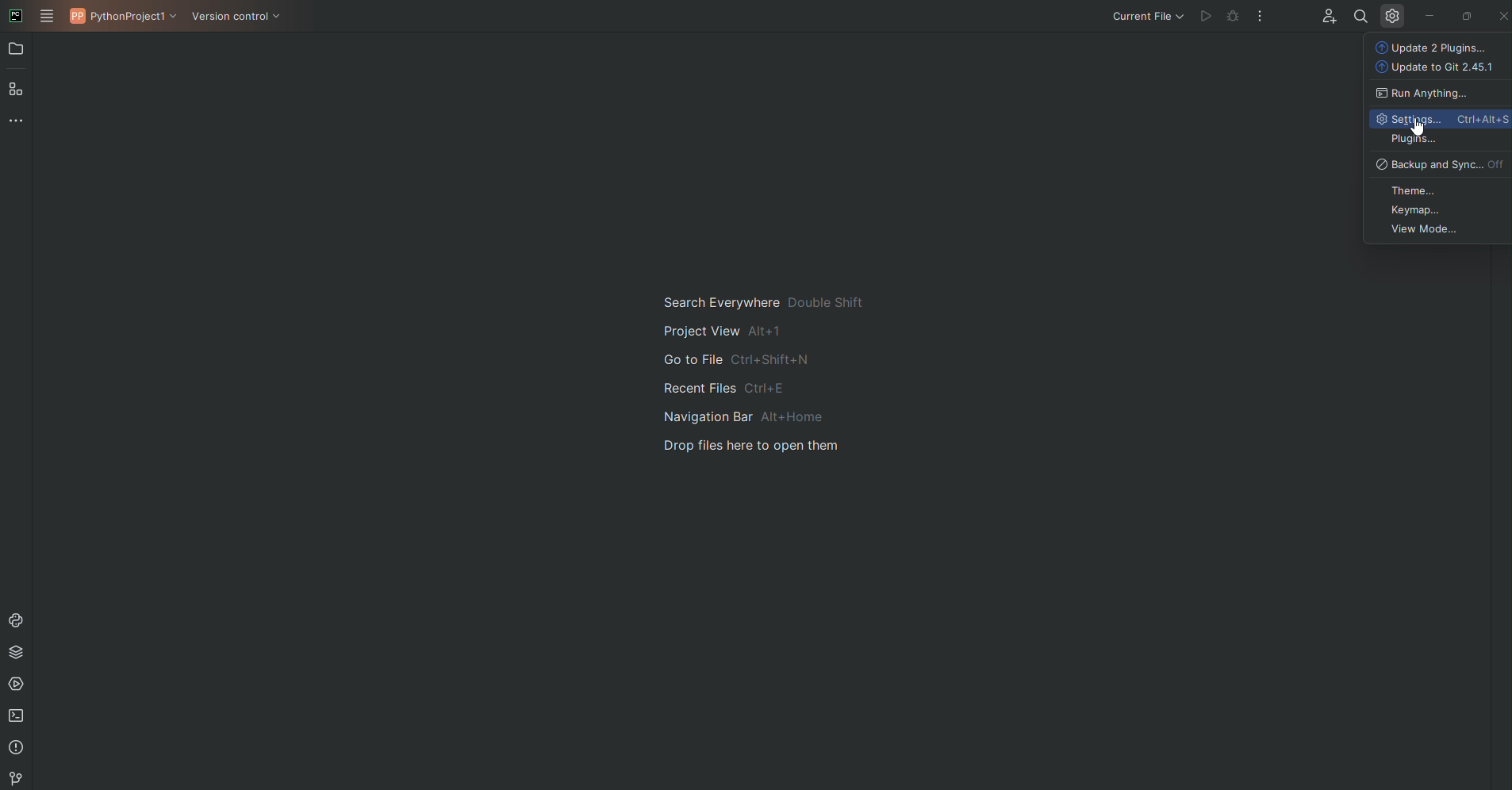  I want to click on Settings, so click(1441, 119).